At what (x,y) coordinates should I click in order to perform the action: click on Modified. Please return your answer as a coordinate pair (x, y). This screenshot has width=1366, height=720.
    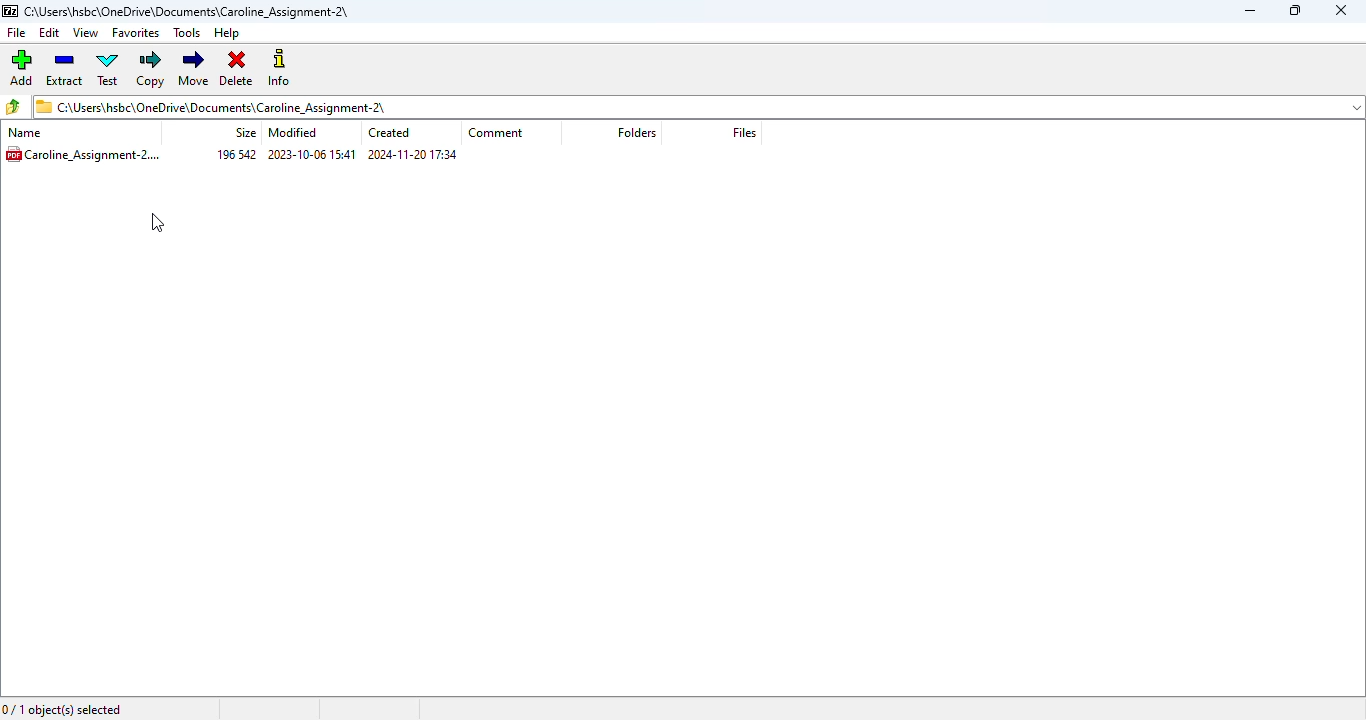
    Looking at the image, I should click on (298, 133).